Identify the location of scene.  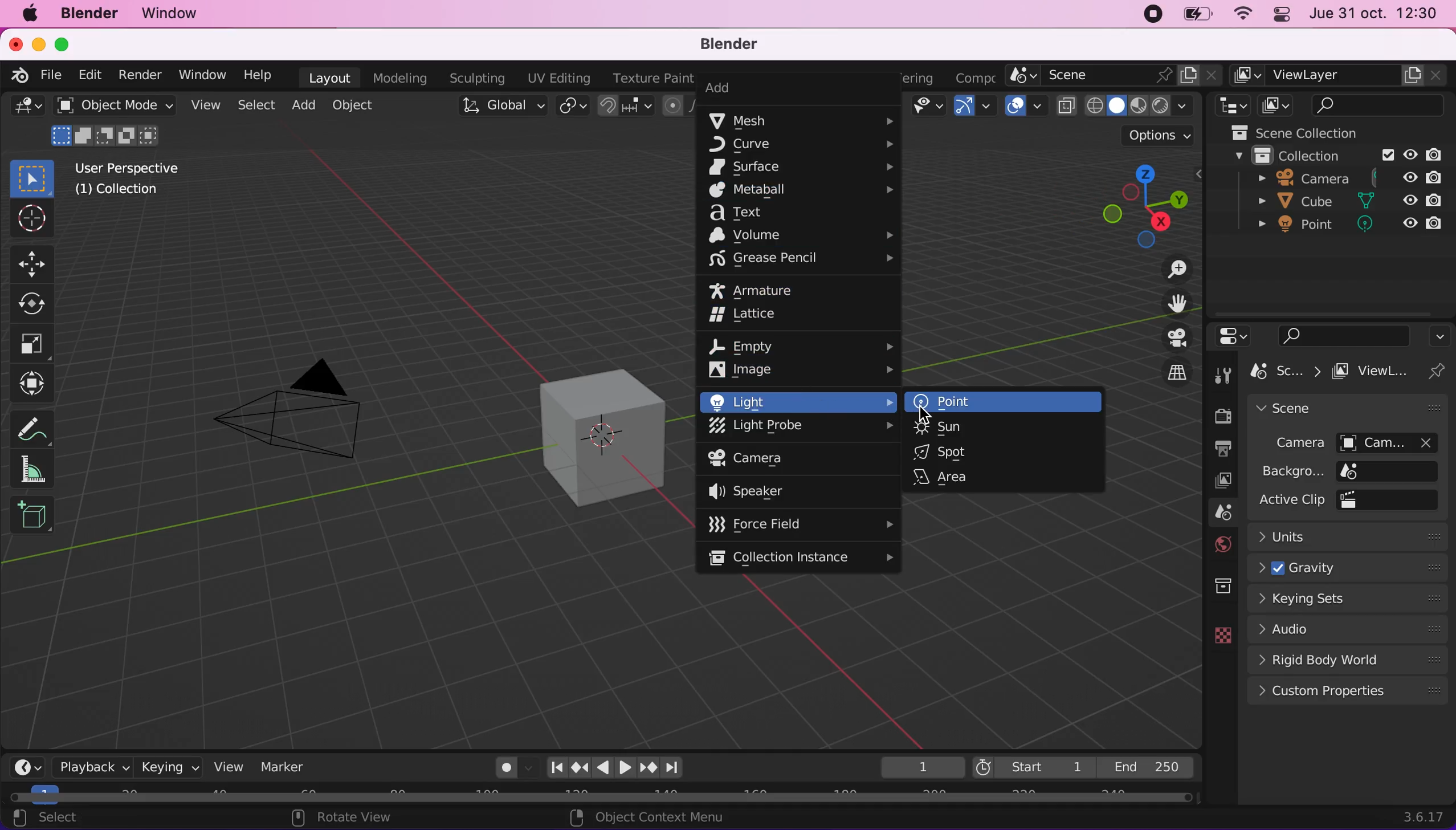
(1288, 372).